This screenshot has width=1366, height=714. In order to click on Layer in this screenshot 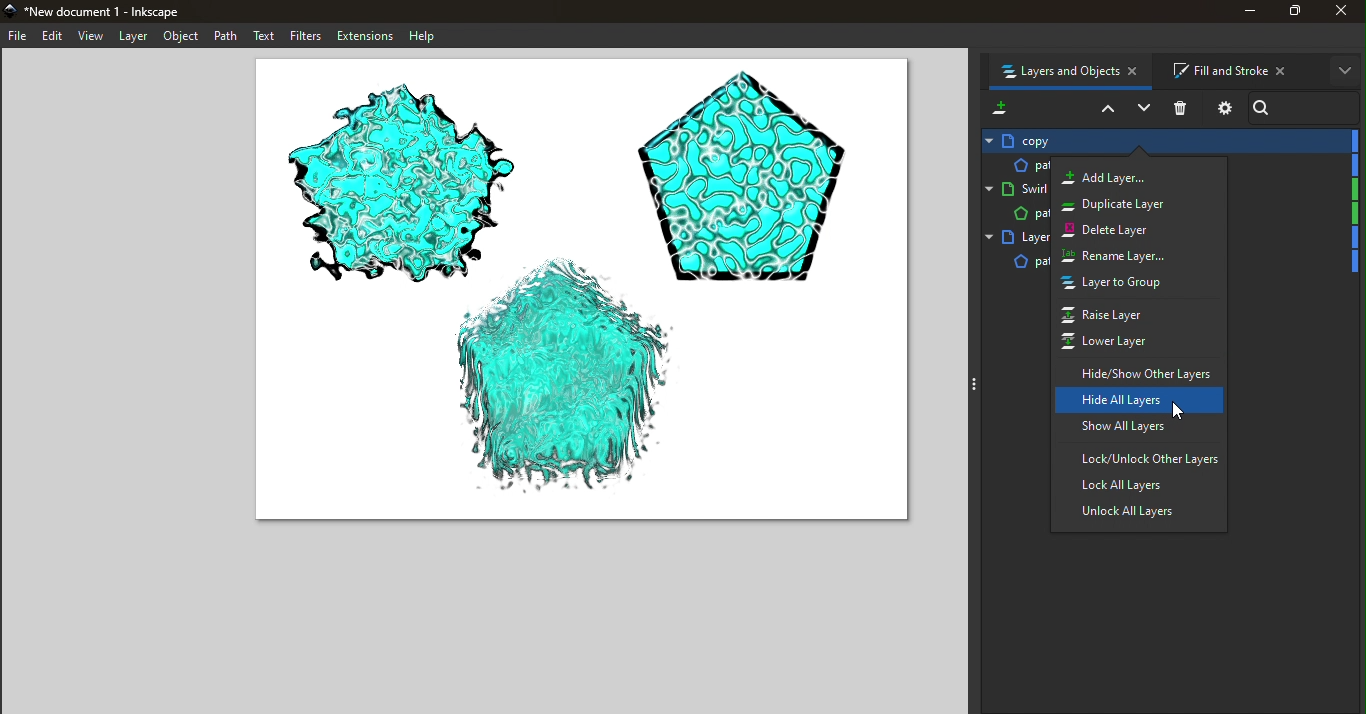, I will do `click(1018, 165)`.